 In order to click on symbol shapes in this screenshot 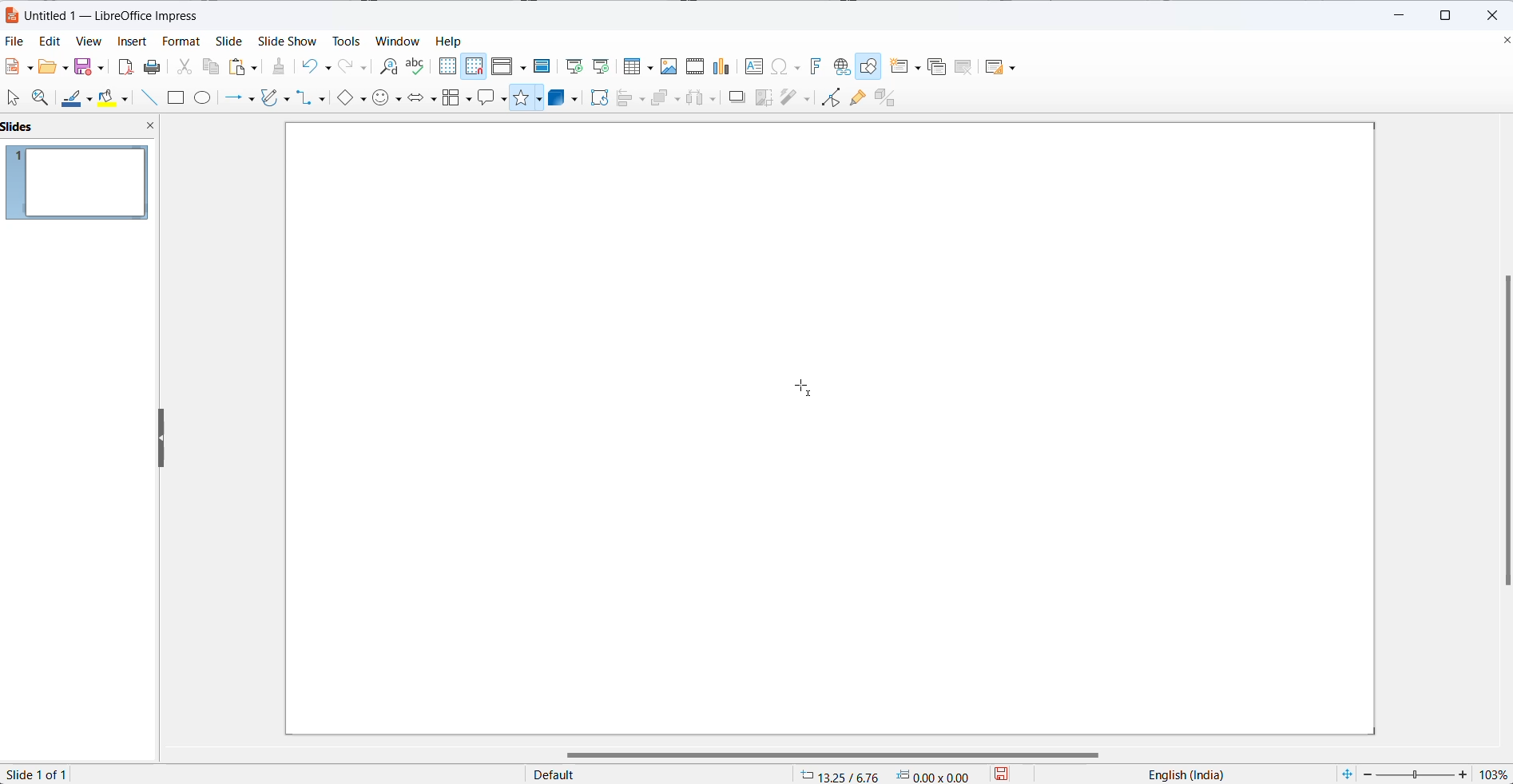, I will do `click(387, 98)`.